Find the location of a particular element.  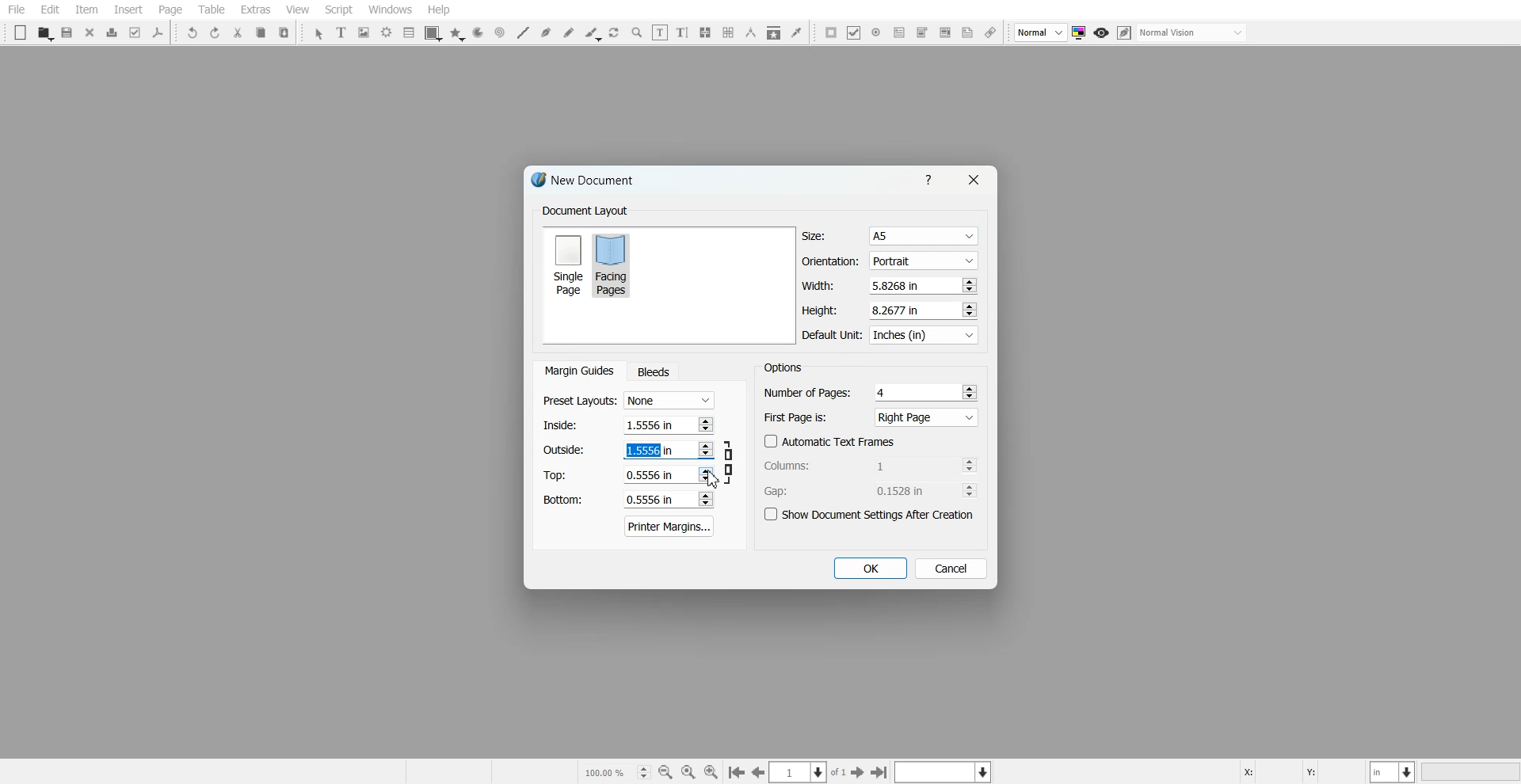

Measurement in Inches is located at coordinates (1393, 771).